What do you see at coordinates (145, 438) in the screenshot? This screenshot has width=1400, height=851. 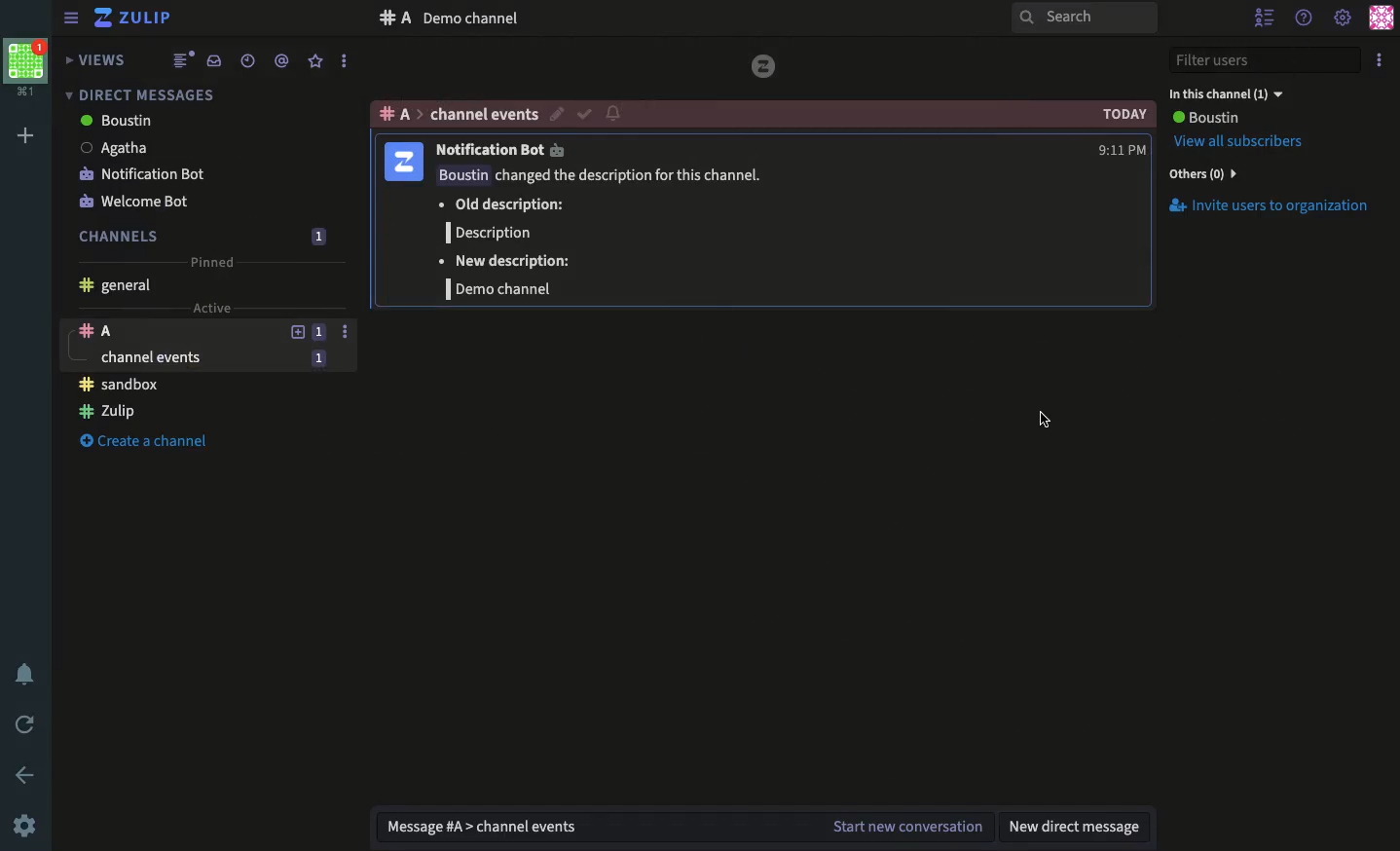 I see `Create a channel` at bounding box center [145, 438].